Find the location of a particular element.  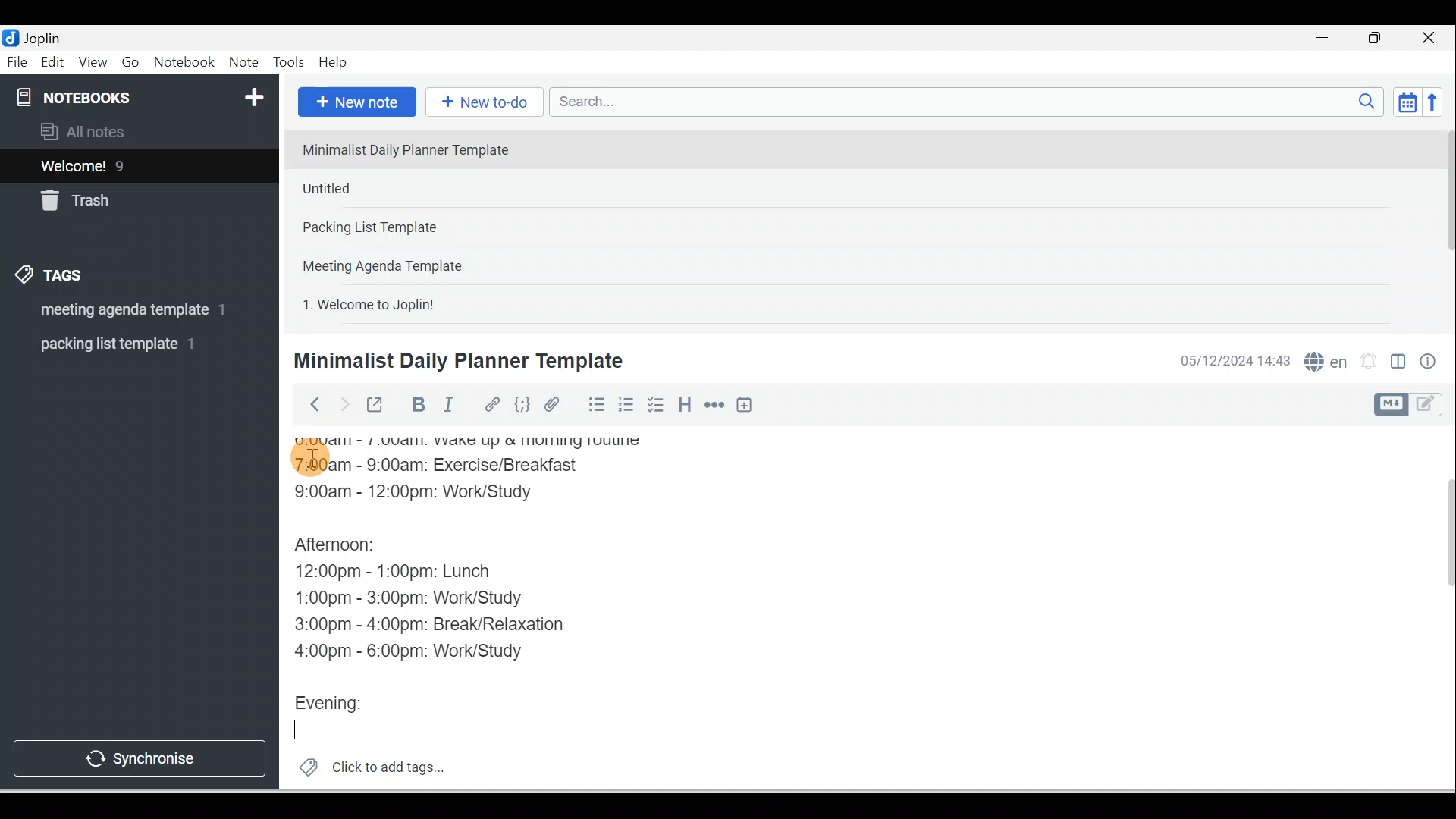

Synchronise is located at coordinates (138, 755).